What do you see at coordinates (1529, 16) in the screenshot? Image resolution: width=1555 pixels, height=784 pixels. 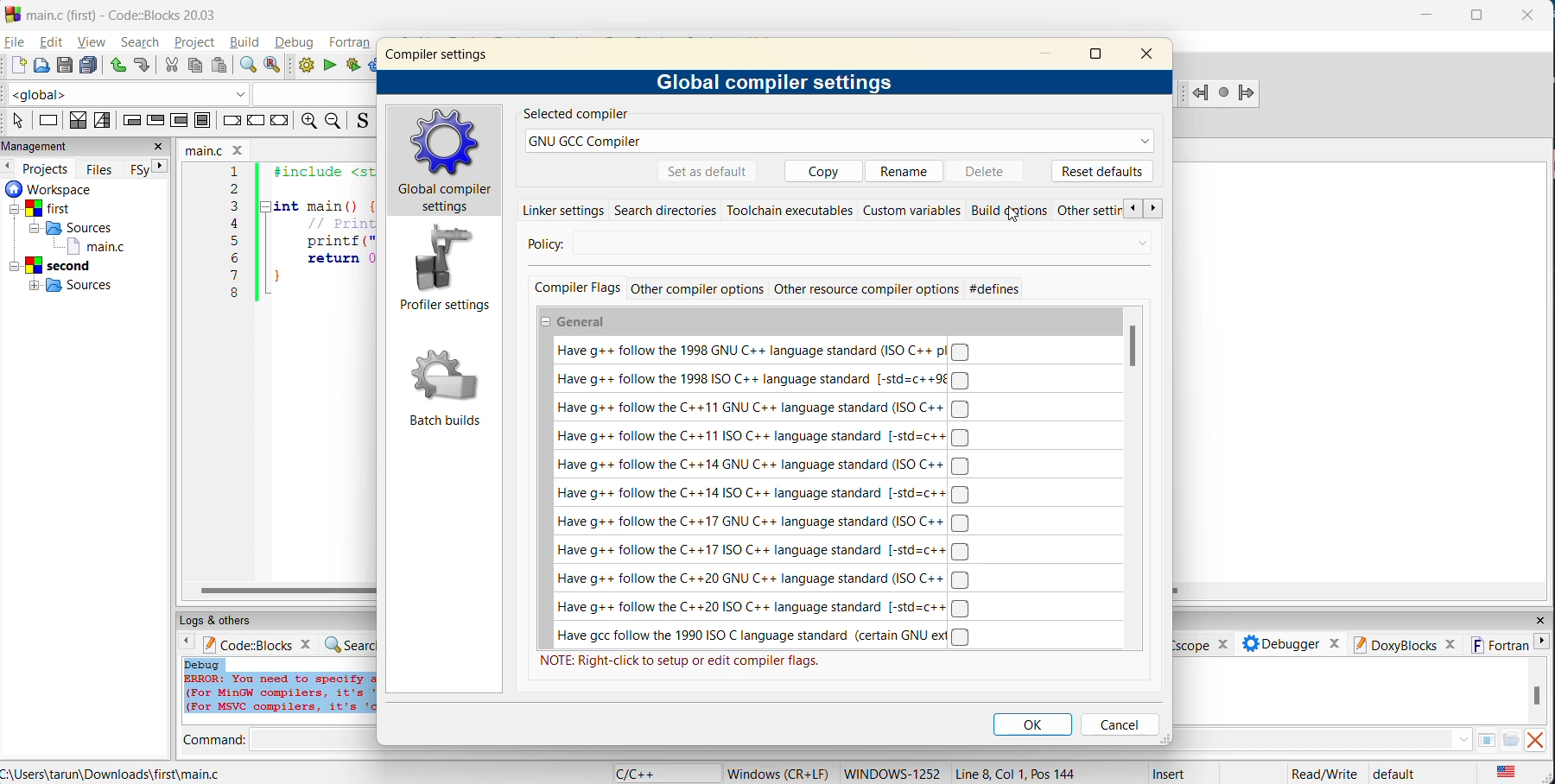 I see `close` at bounding box center [1529, 16].